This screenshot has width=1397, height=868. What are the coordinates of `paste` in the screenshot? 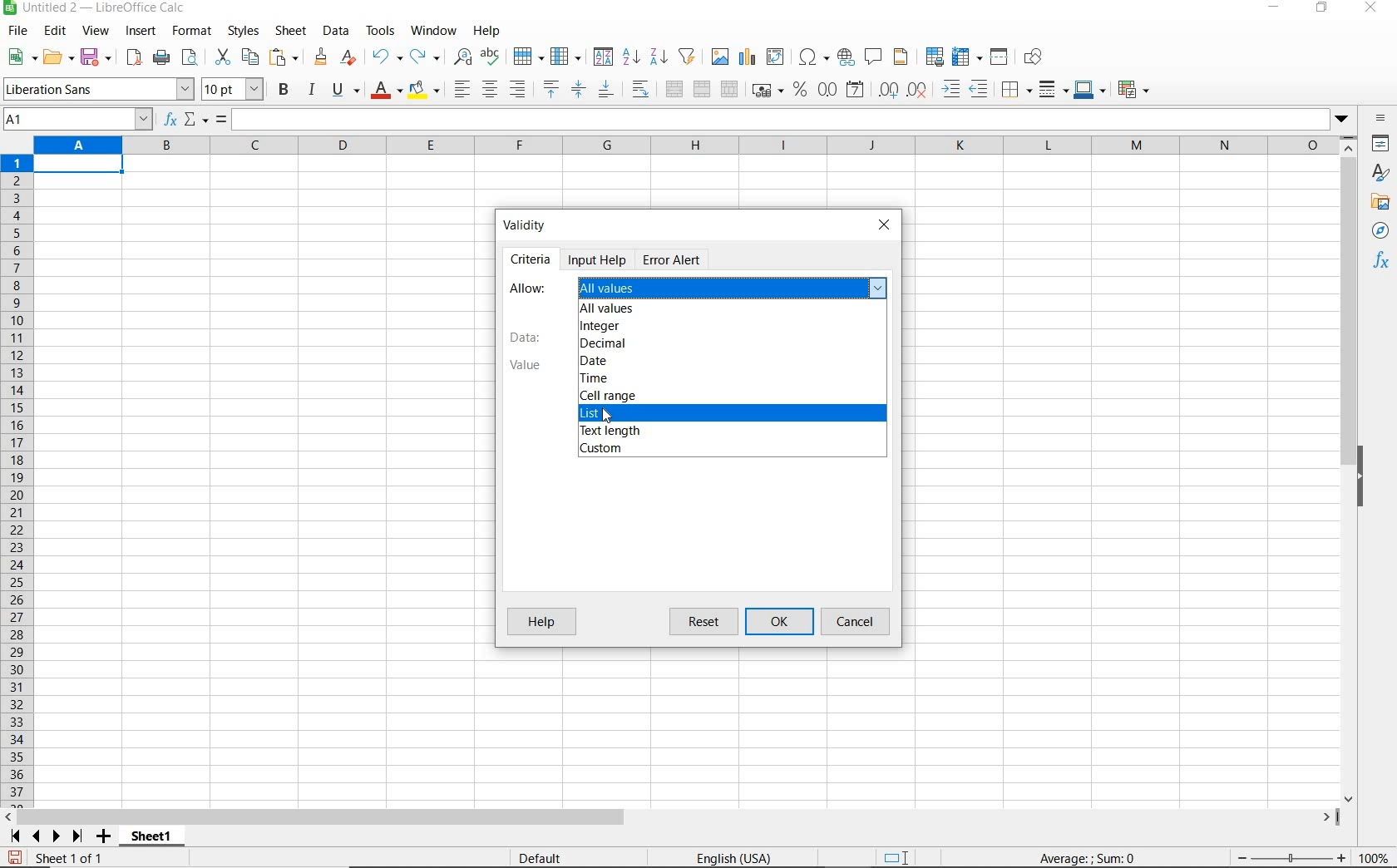 It's located at (286, 59).